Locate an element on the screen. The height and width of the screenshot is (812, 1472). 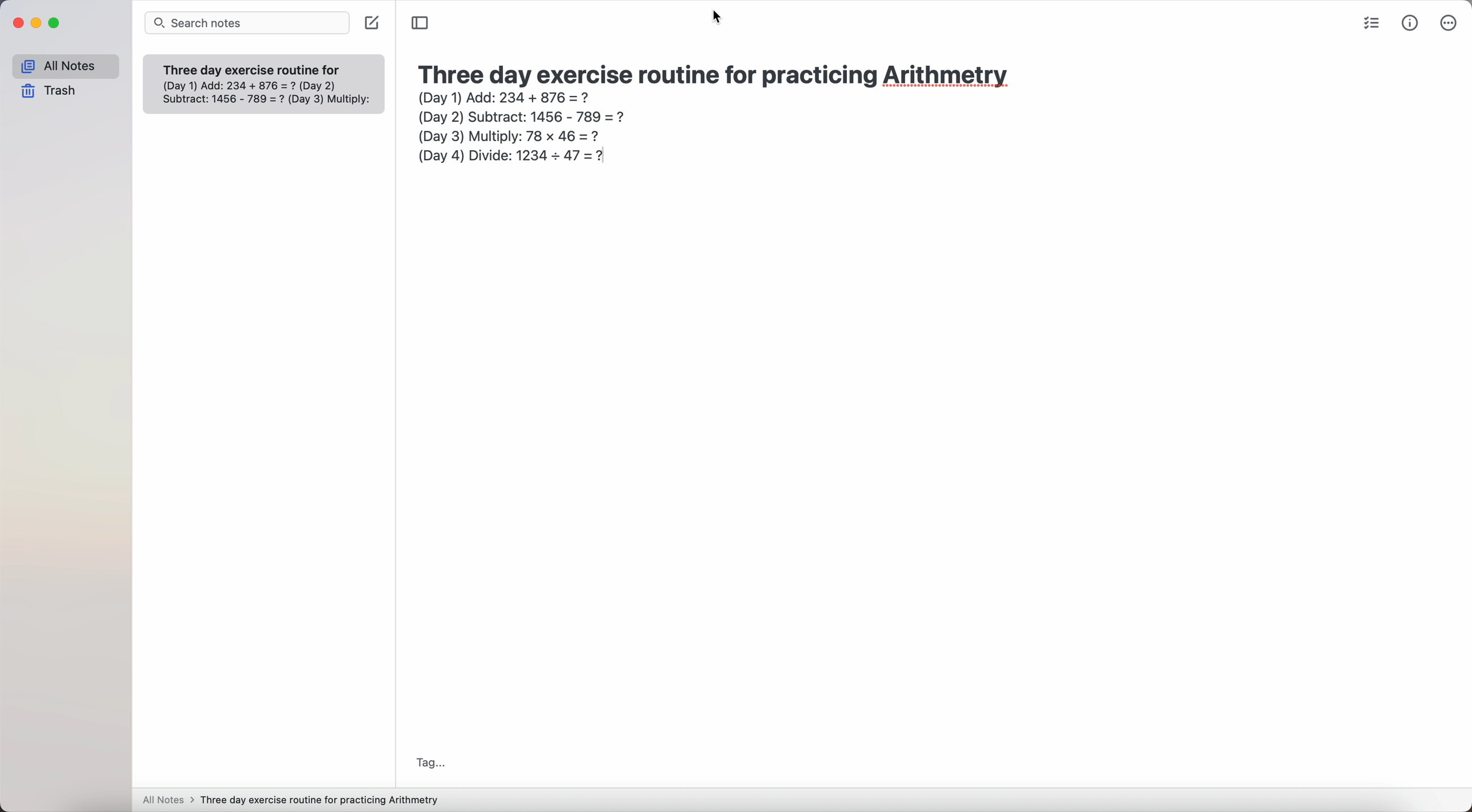
exercises is located at coordinates (269, 91).